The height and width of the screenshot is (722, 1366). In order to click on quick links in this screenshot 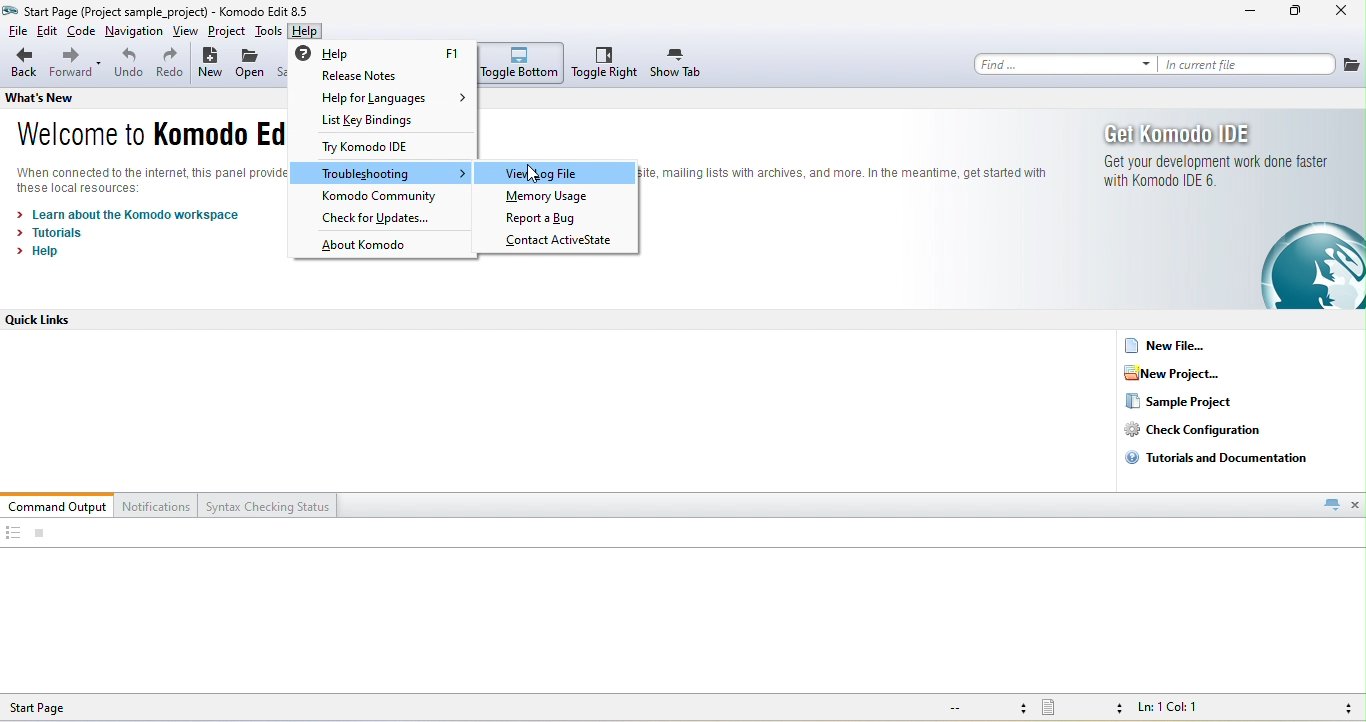, I will do `click(49, 320)`.